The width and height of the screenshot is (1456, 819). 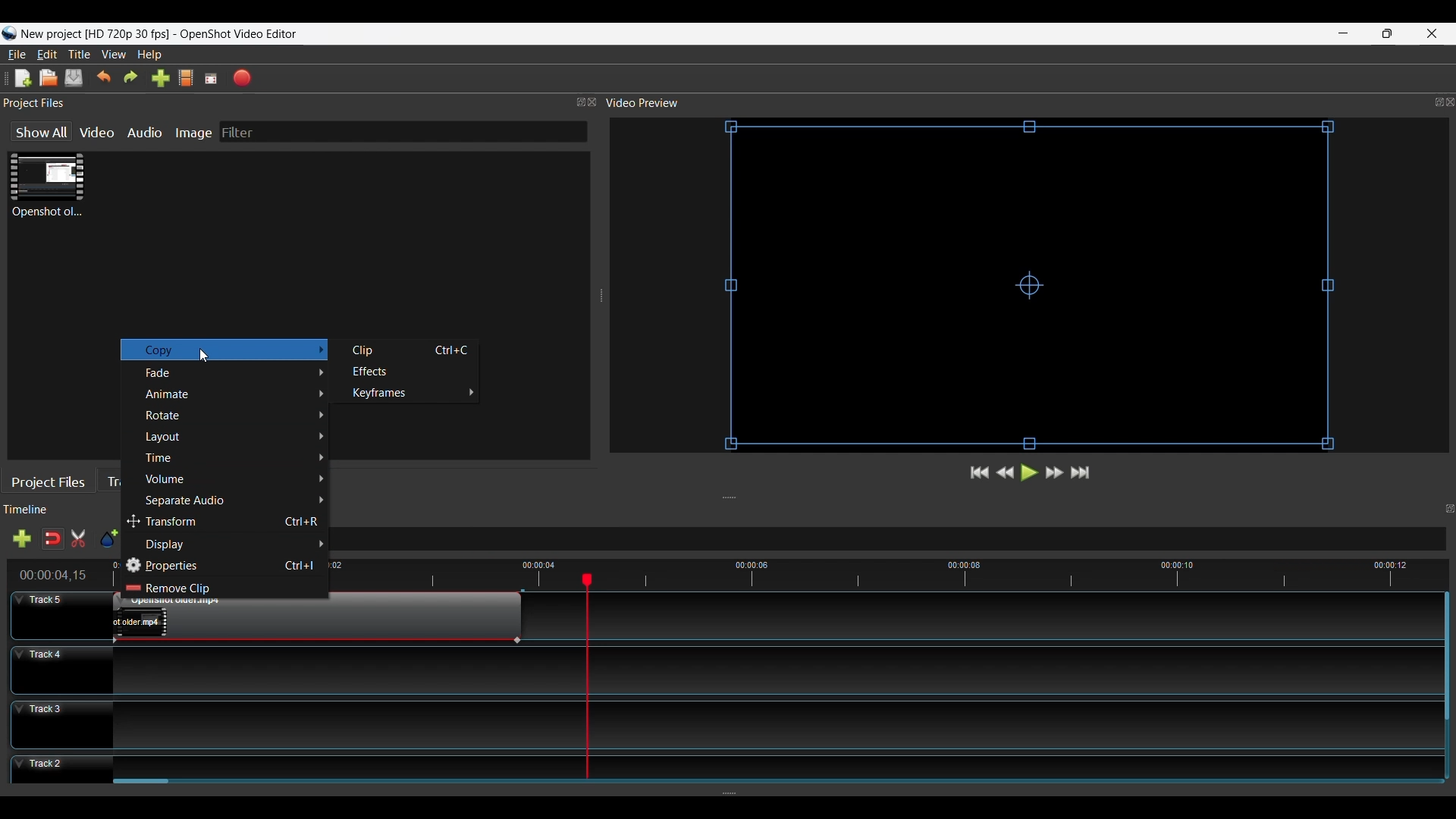 What do you see at coordinates (1344, 33) in the screenshot?
I see `minimize` at bounding box center [1344, 33].